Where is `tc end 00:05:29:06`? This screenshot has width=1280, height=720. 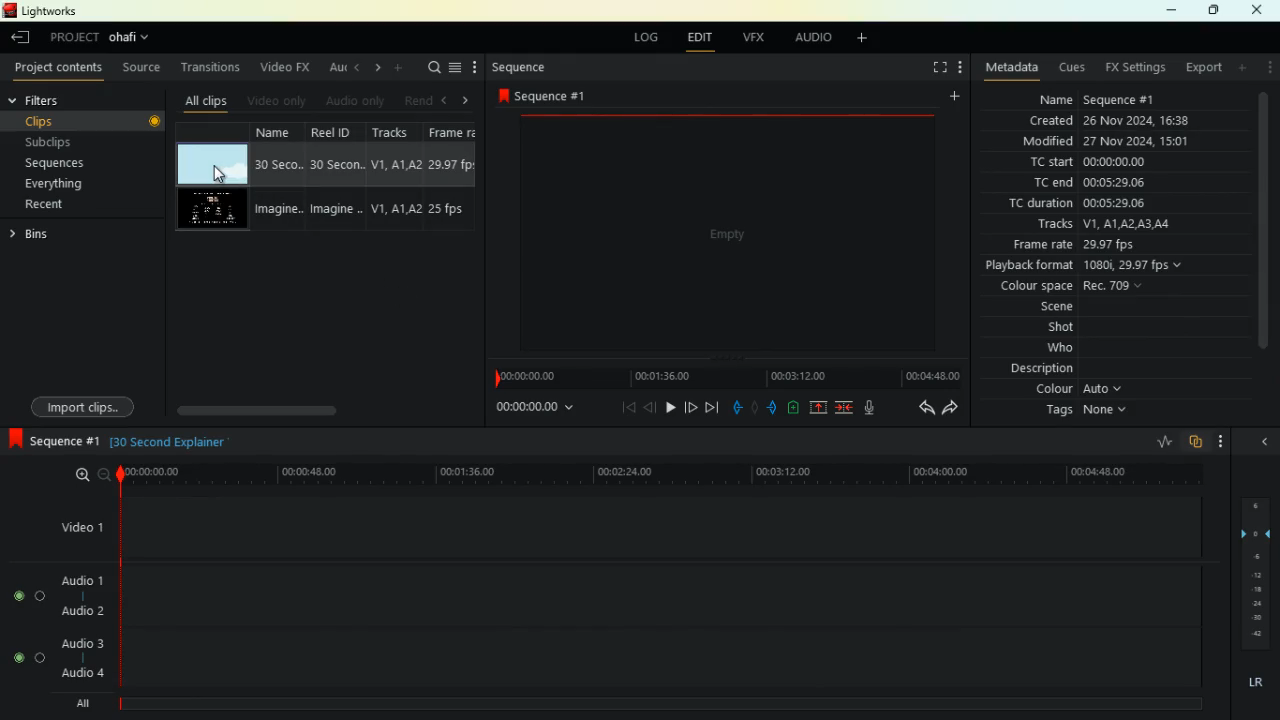
tc end 00:05:29:06 is located at coordinates (1093, 182).